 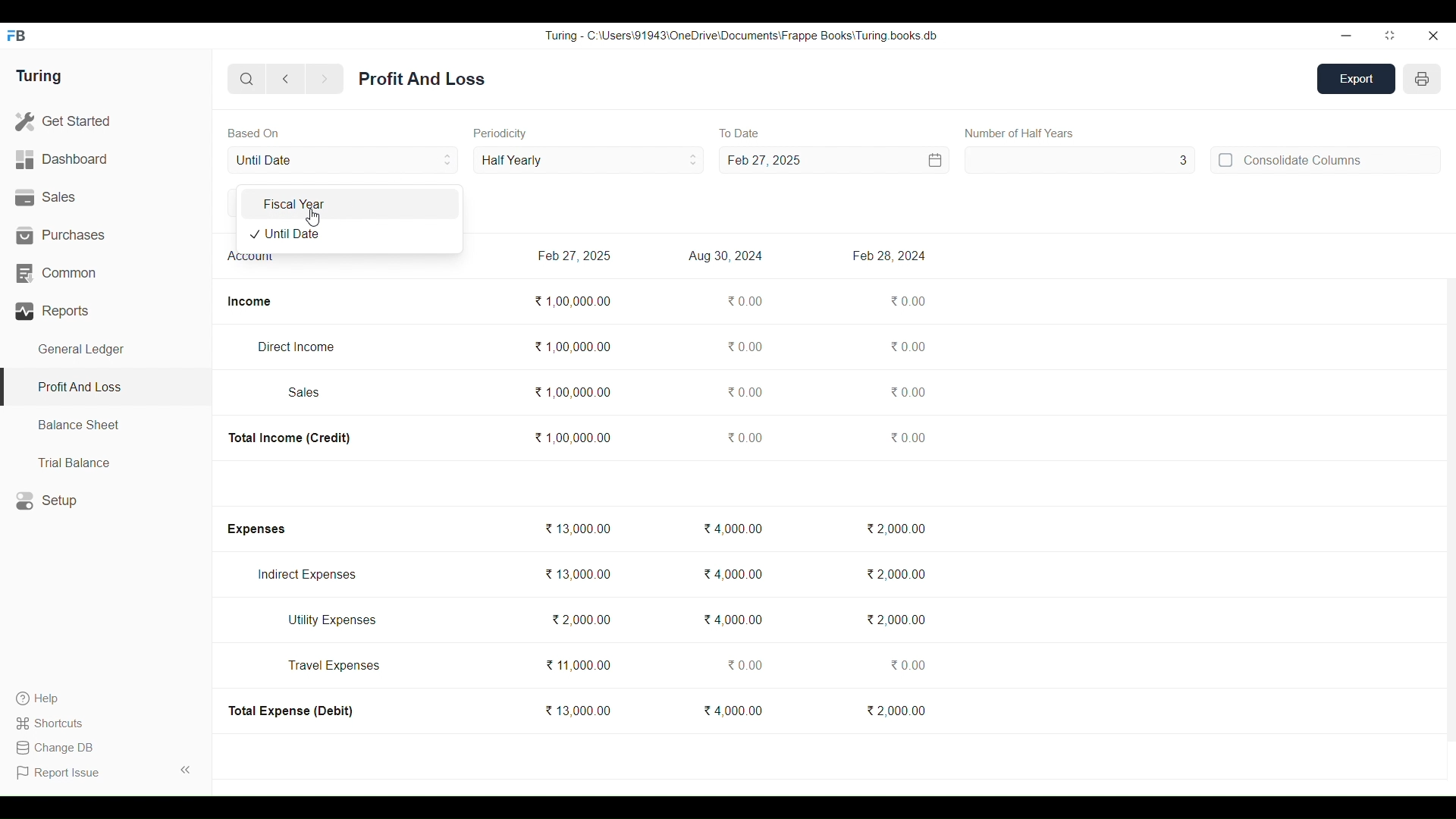 What do you see at coordinates (573, 301) in the screenshot?
I see `1,00,000.00` at bounding box center [573, 301].